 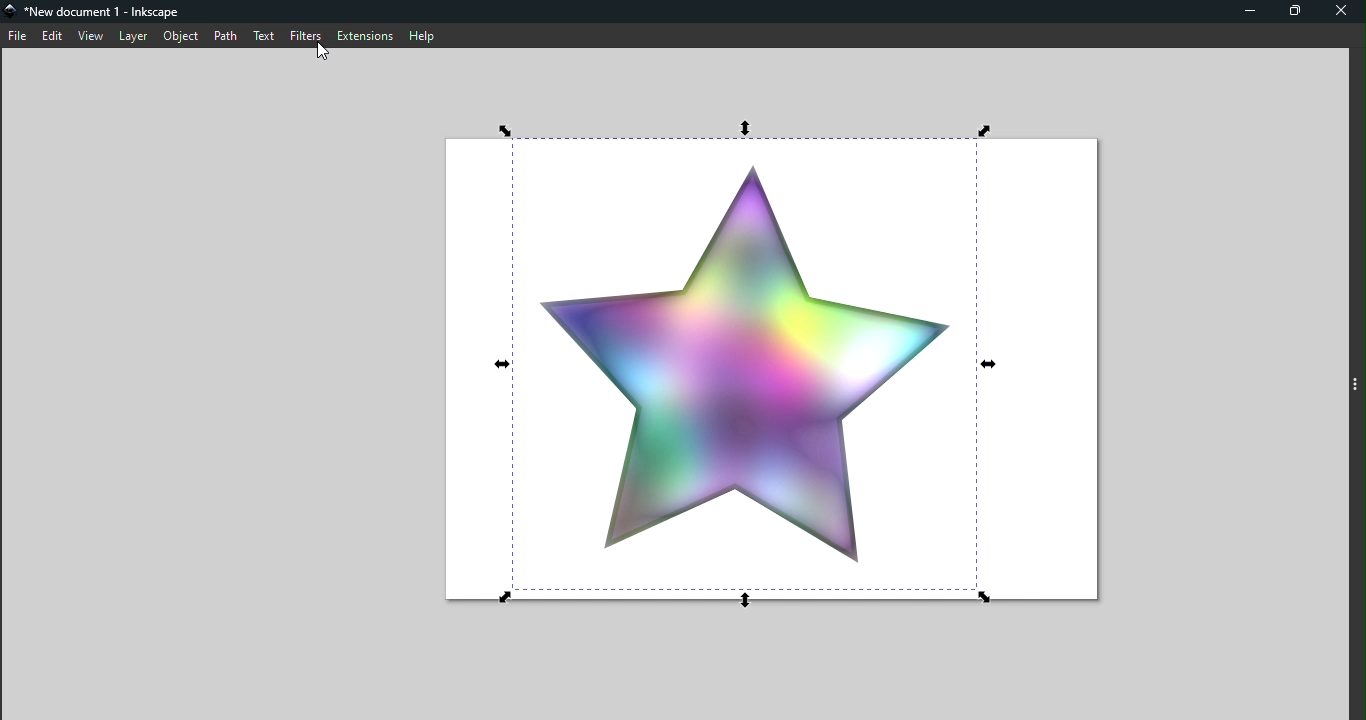 What do you see at coordinates (1342, 14) in the screenshot?
I see `Close` at bounding box center [1342, 14].